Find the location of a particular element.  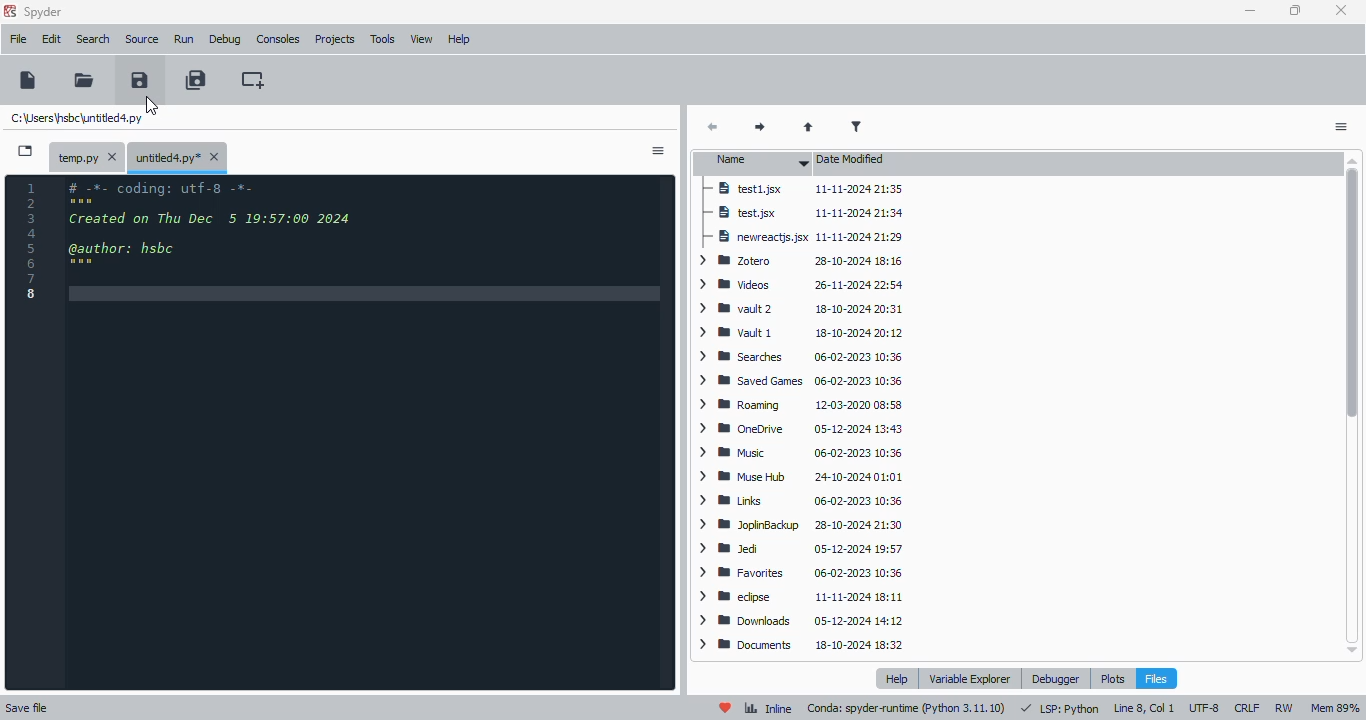

modified date & time is located at coordinates (861, 417).